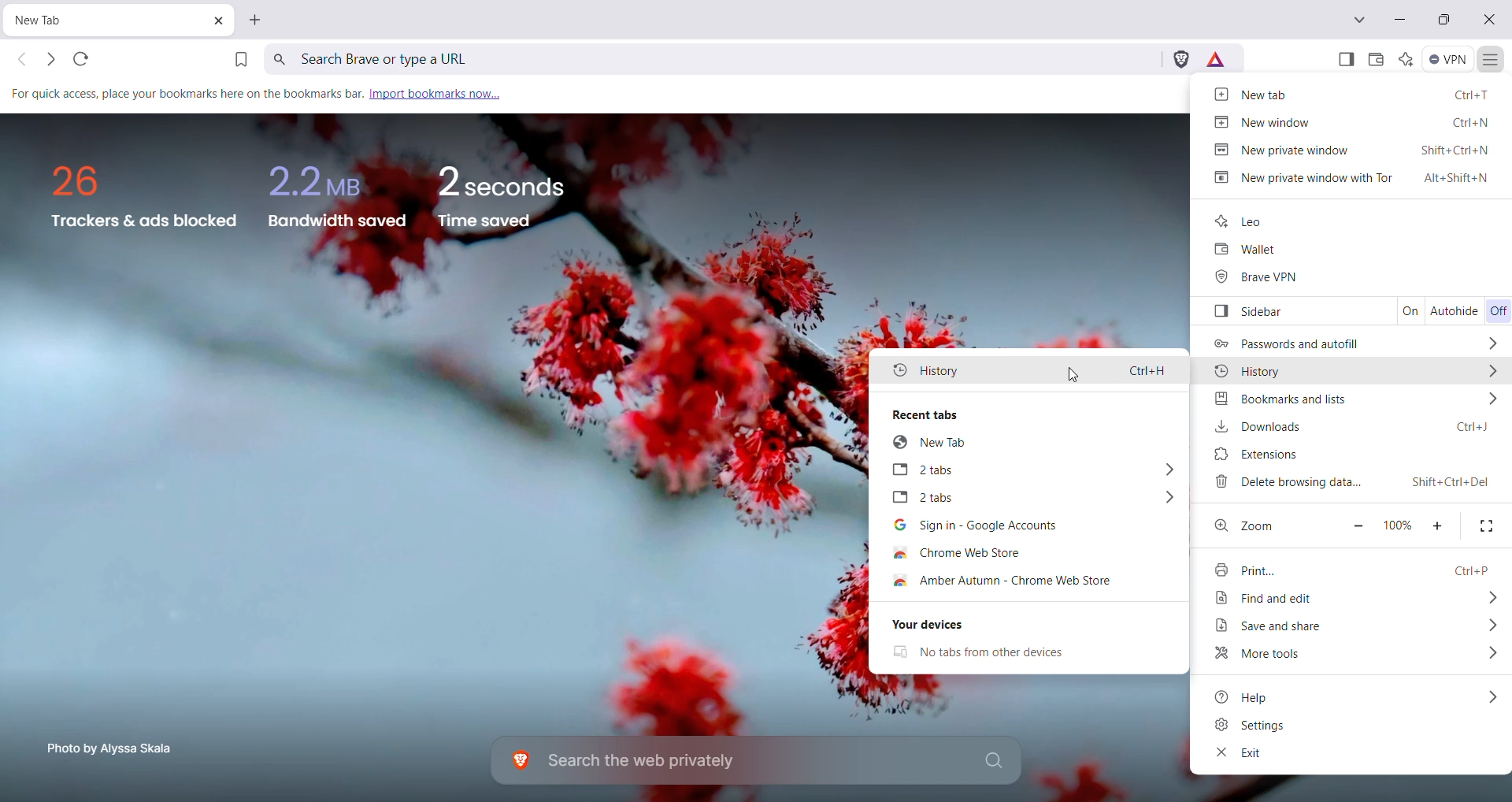  What do you see at coordinates (1455, 311) in the screenshot?
I see `Autohide` at bounding box center [1455, 311].